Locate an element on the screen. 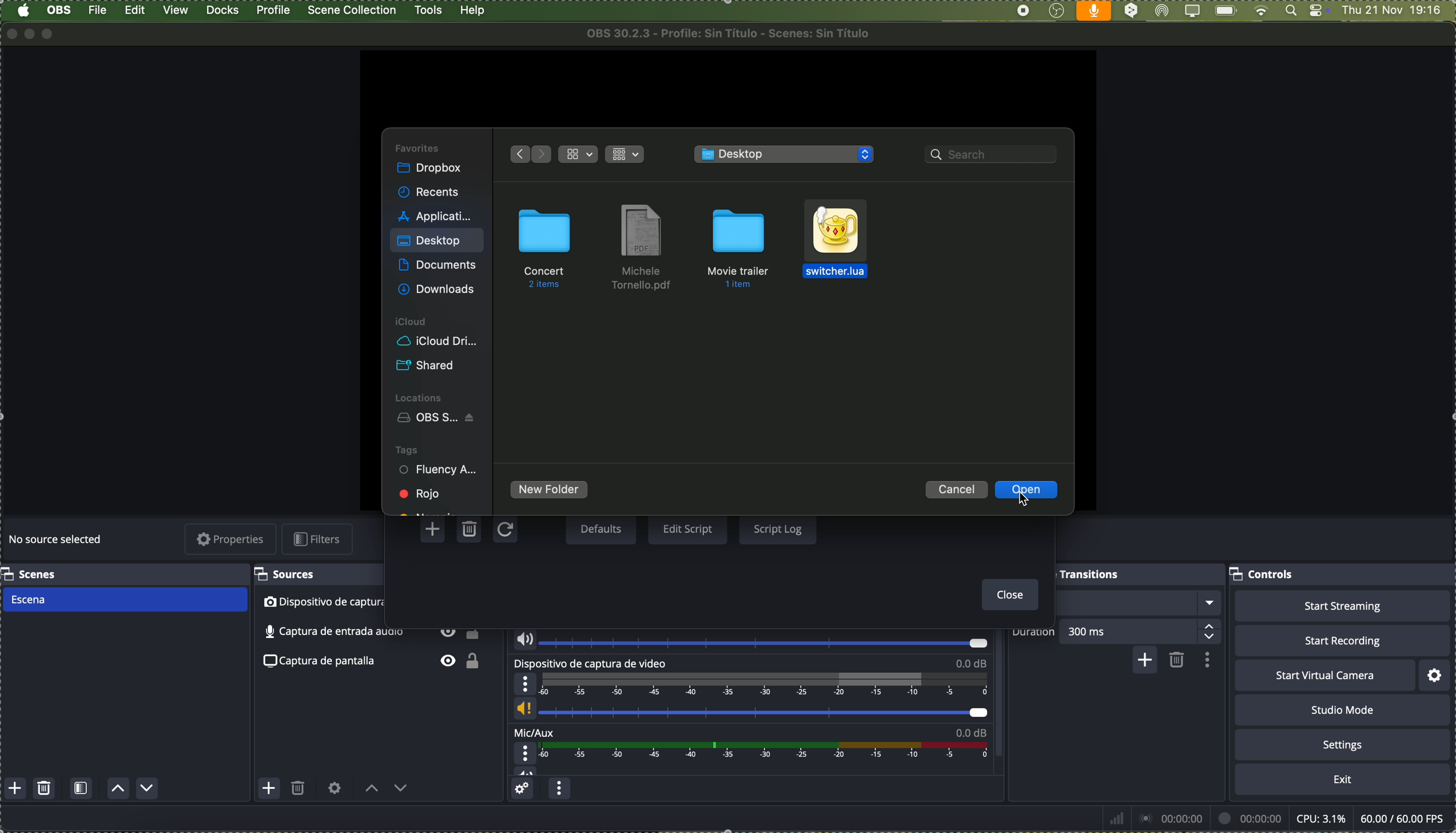 The height and width of the screenshot is (833, 1456). remove is located at coordinates (1177, 661).